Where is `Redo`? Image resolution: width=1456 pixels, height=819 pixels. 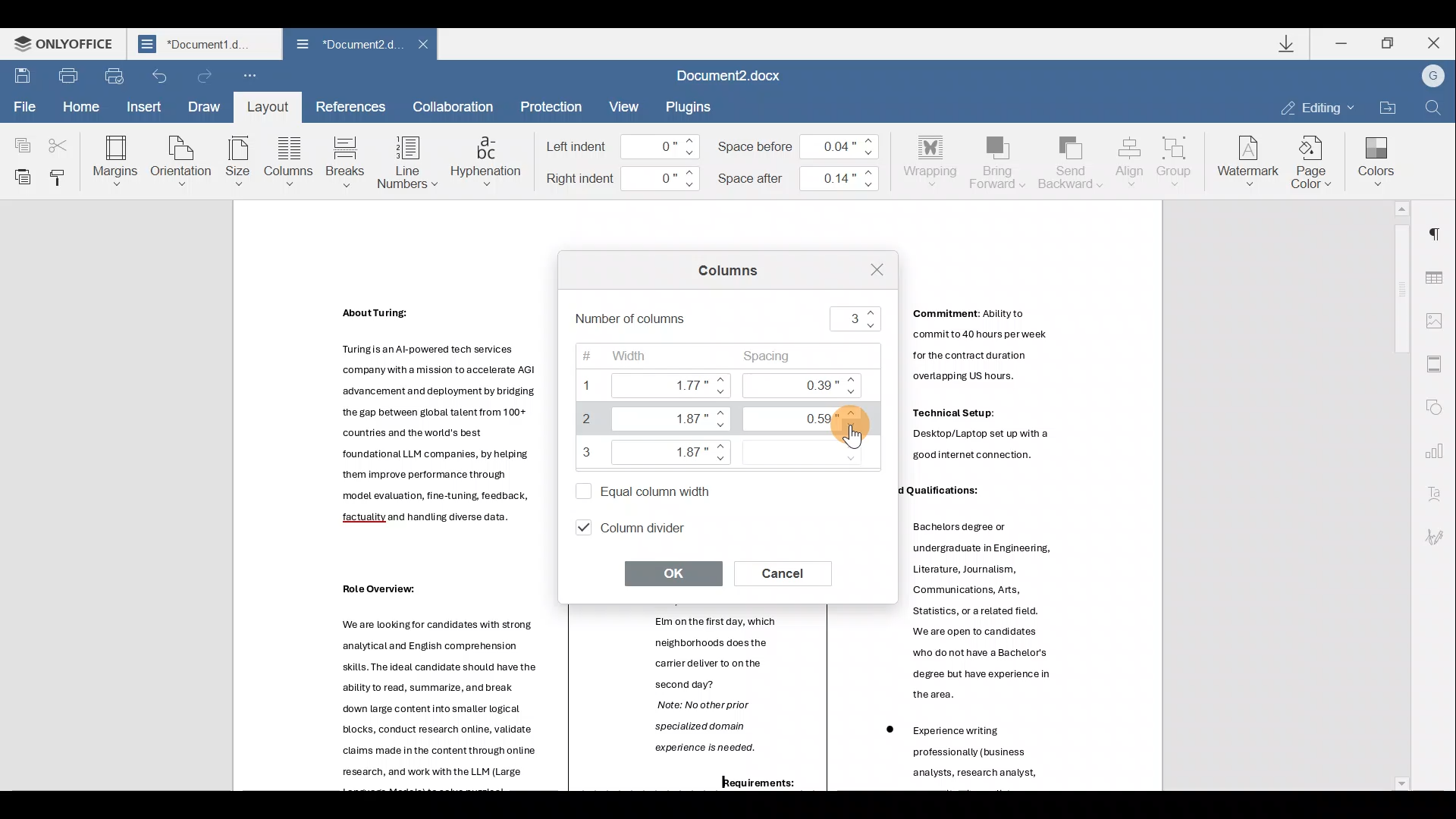 Redo is located at coordinates (206, 77).